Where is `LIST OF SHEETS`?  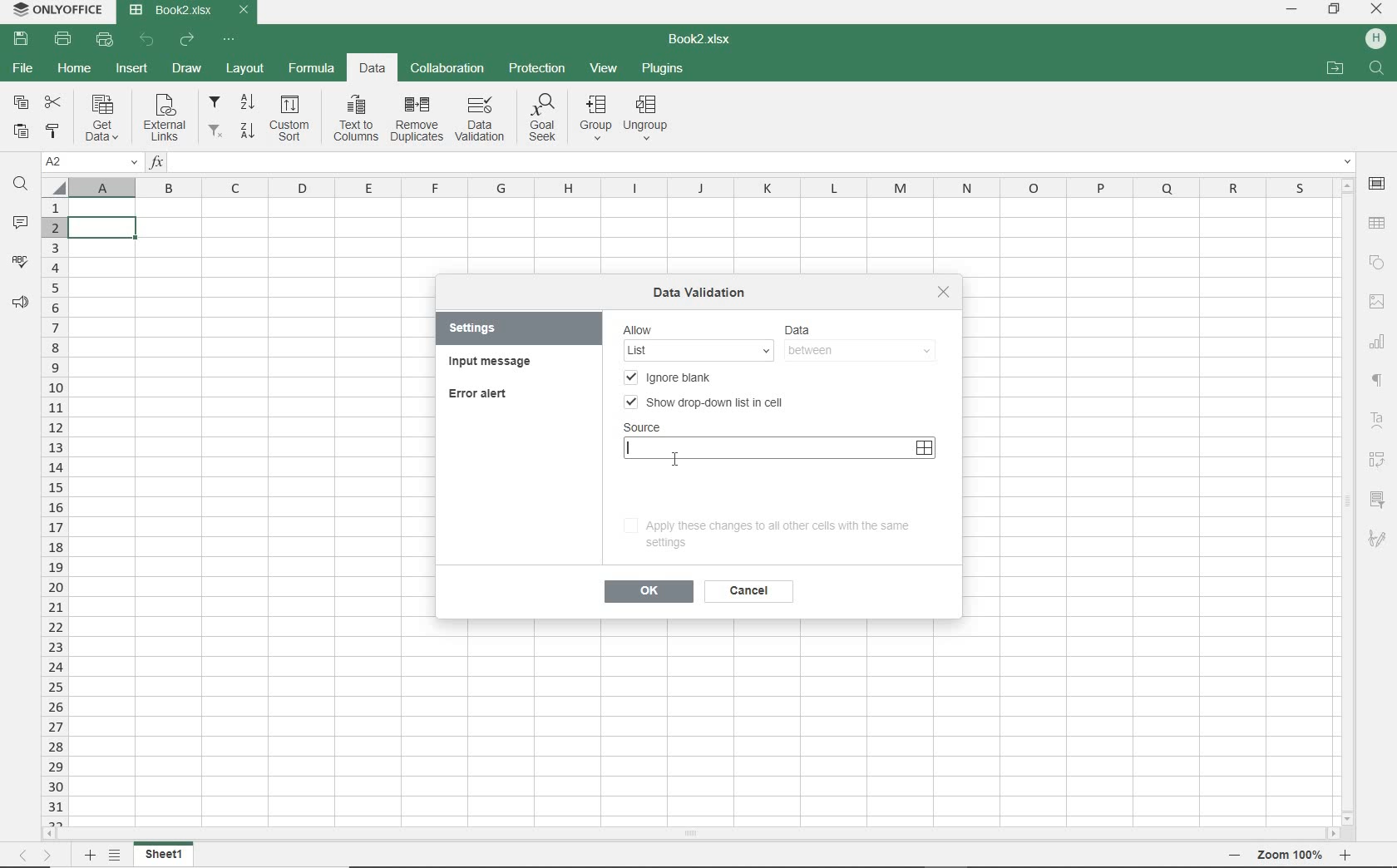
LIST OF SHEETS is located at coordinates (118, 856).